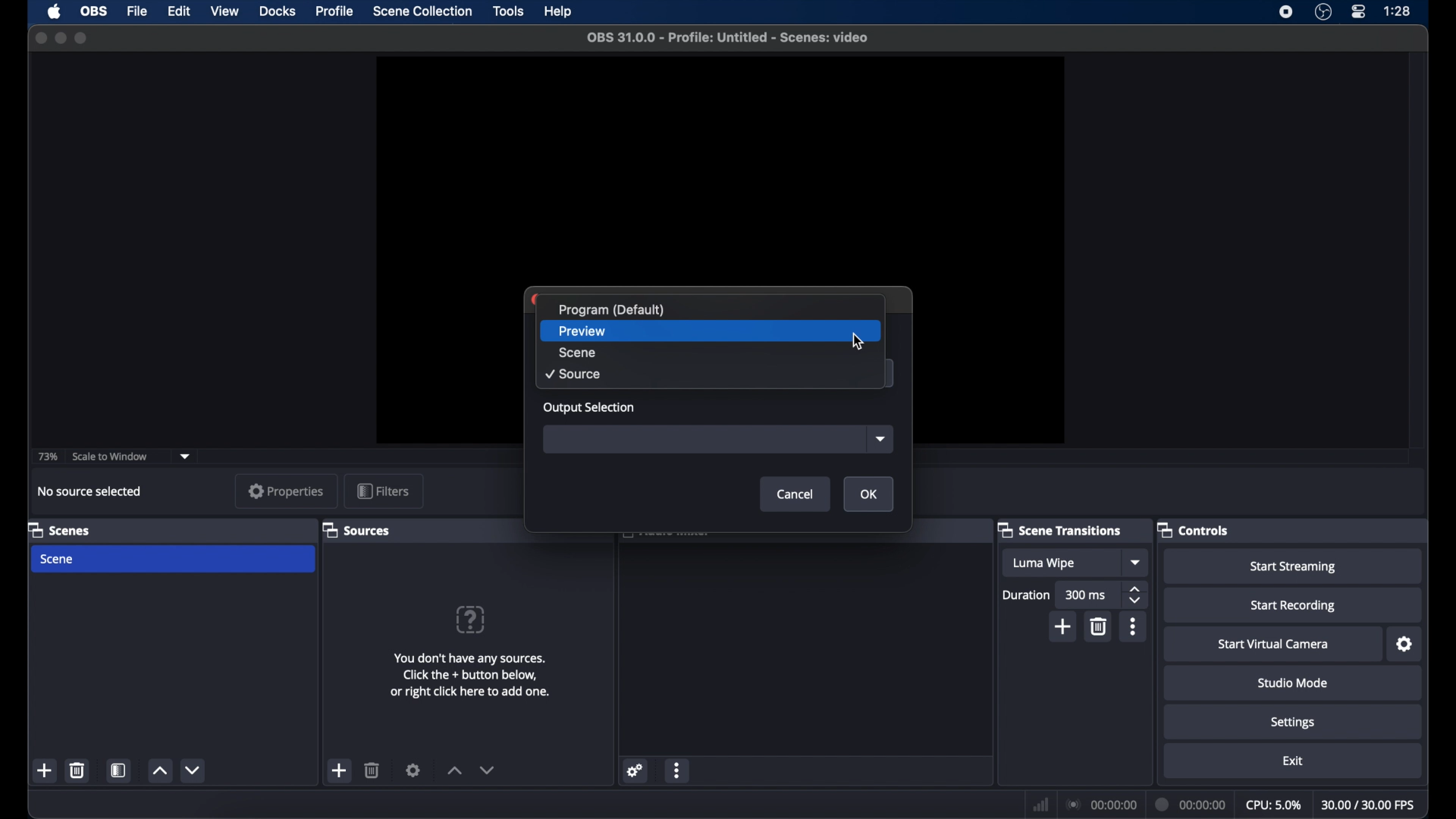 The image size is (1456, 819). Describe the element at coordinates (1293, 682) in the screenshot. I see `studio mode` at that location.